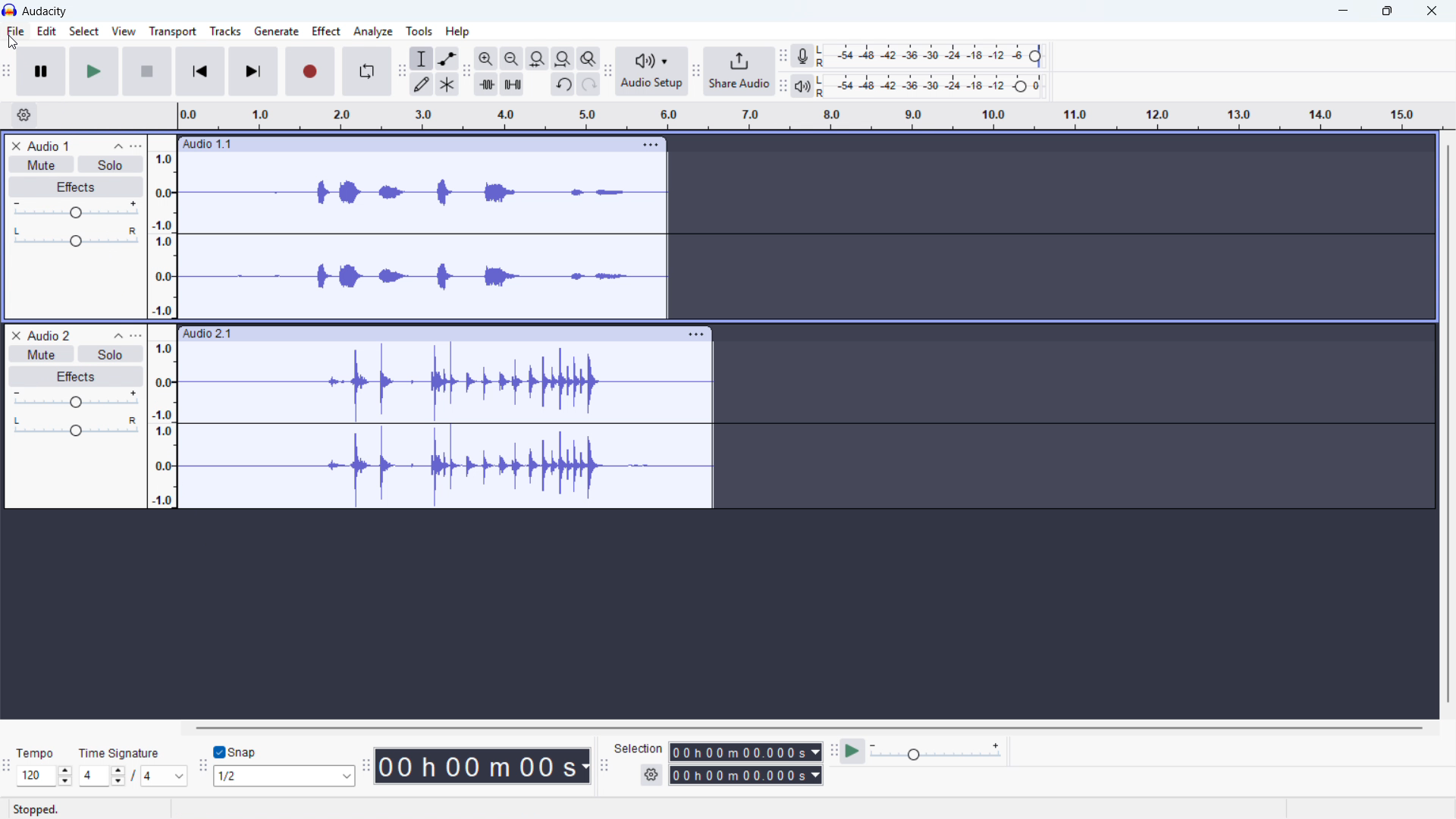  What do you see at coordinates (425, 244) in the screenshot?
I see `audio 1 wave form` at bounding box center [425, 244].